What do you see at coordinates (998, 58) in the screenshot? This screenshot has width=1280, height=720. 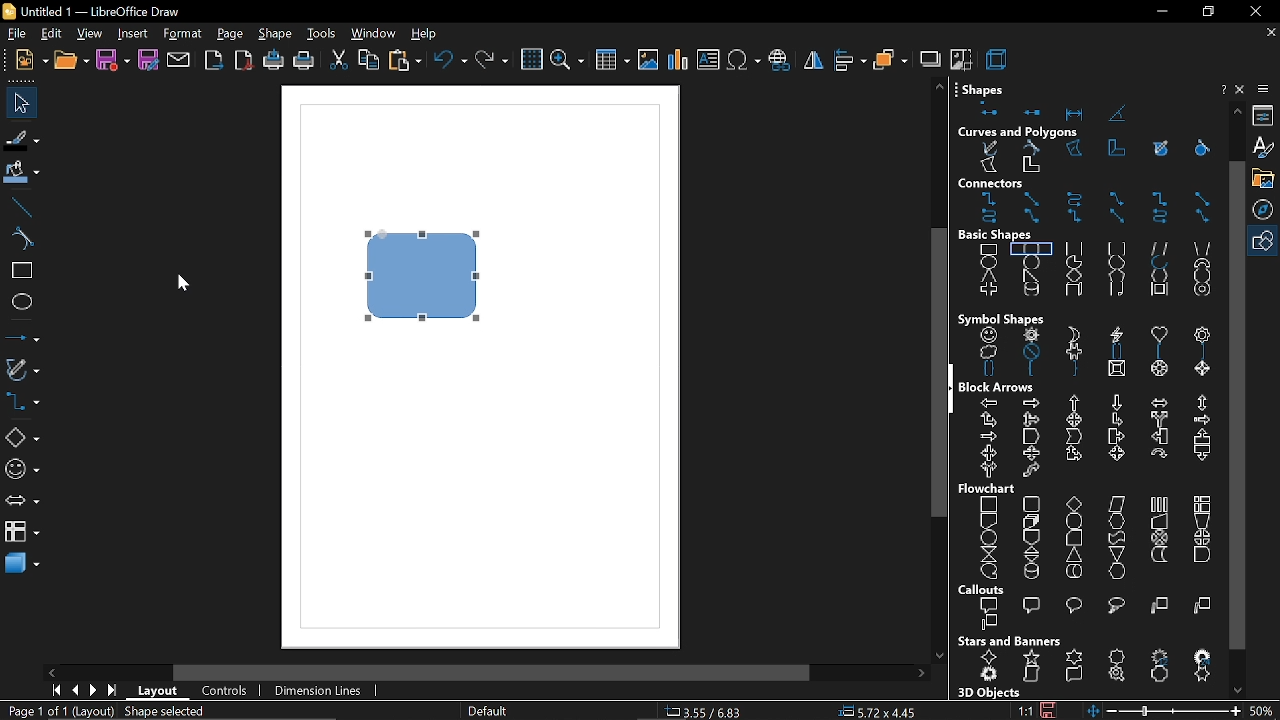 I see `3d effect` at bounding box center [998, 58].